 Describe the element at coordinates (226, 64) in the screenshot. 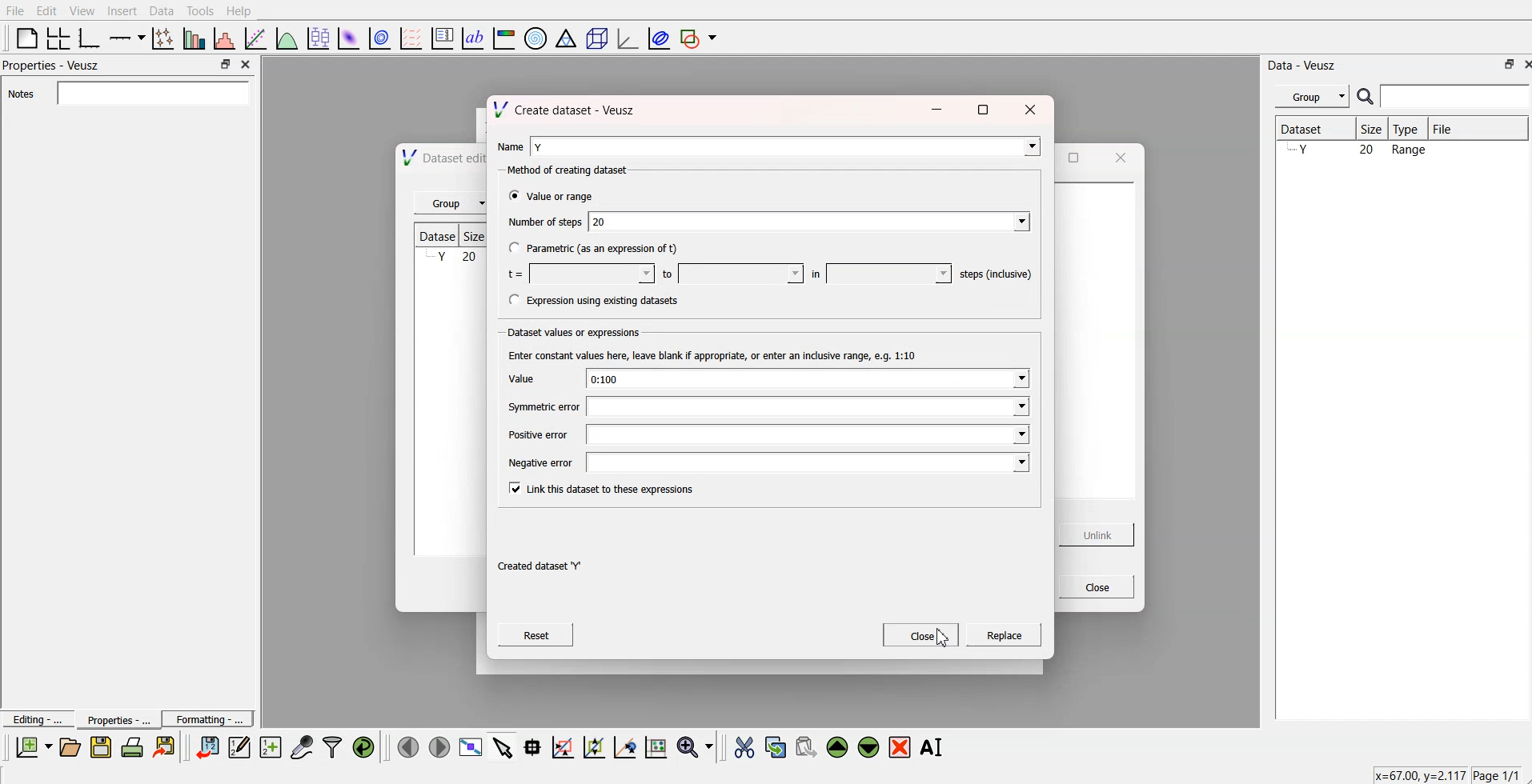

I see `Min/Max` at that location.